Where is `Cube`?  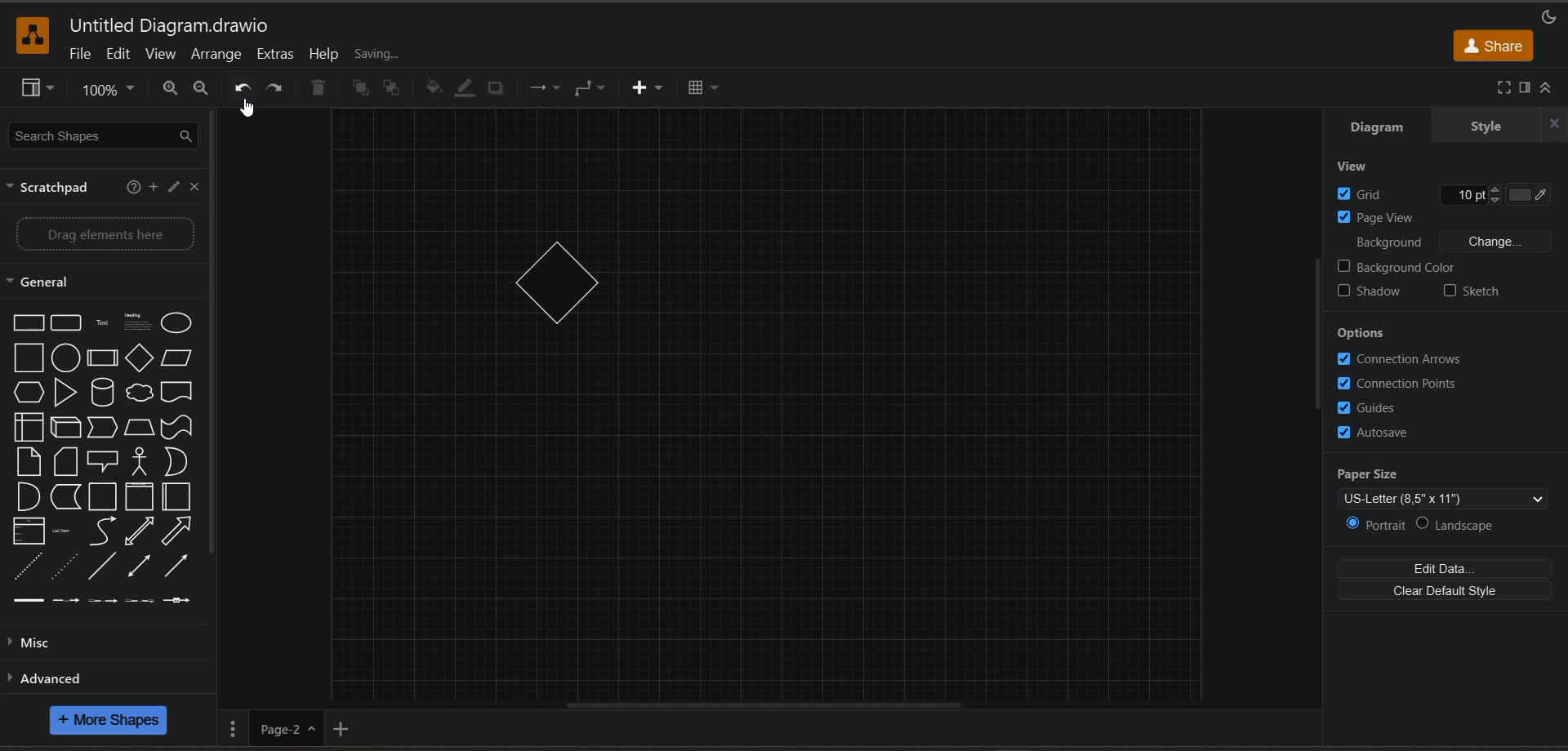 Cube is located at coordinates (67, 427).